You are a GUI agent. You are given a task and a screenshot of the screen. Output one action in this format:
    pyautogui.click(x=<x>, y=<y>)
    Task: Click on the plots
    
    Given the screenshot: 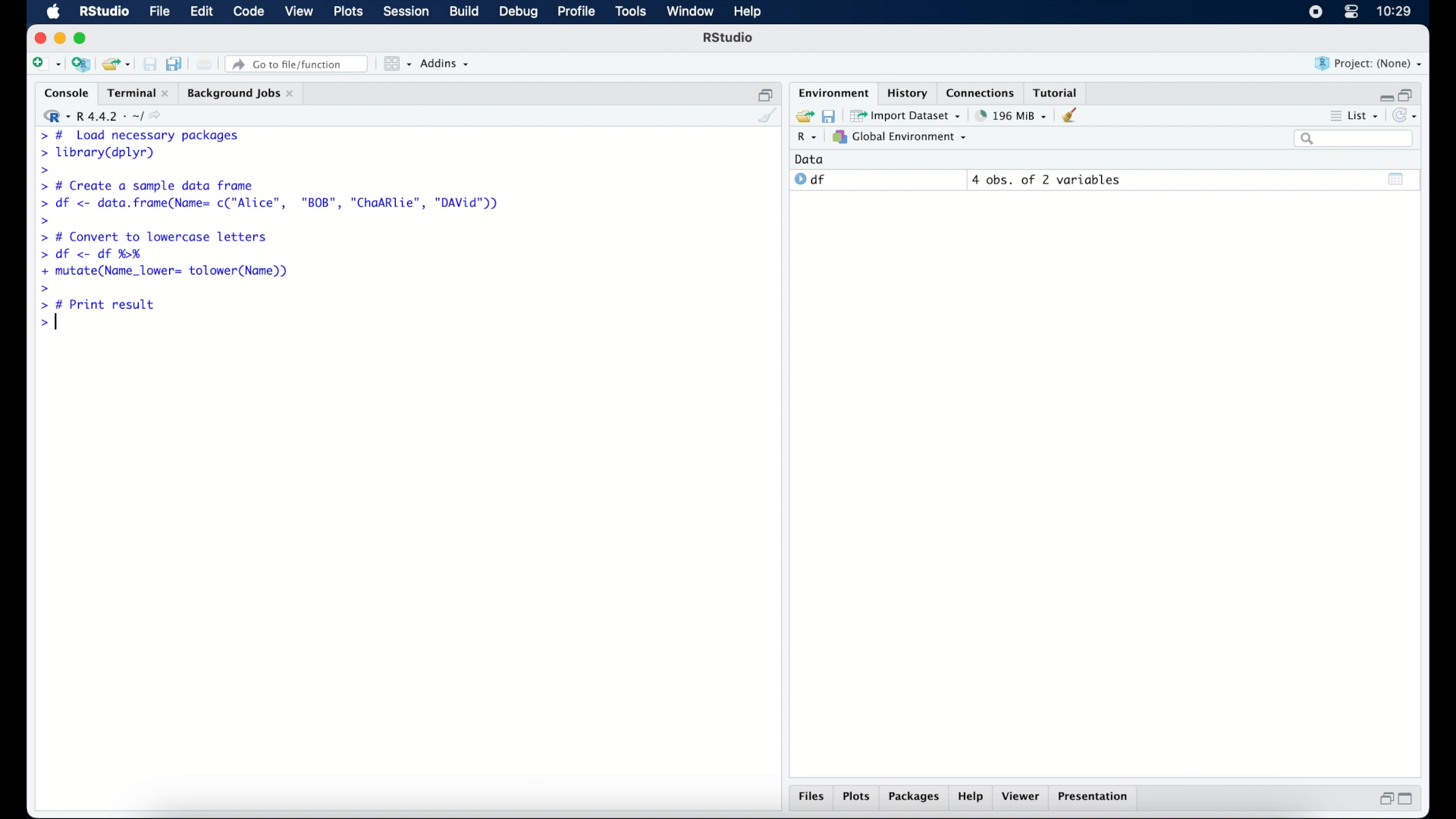 What is the action you would take?
    pyautogui.click(x=858, y=798)
    